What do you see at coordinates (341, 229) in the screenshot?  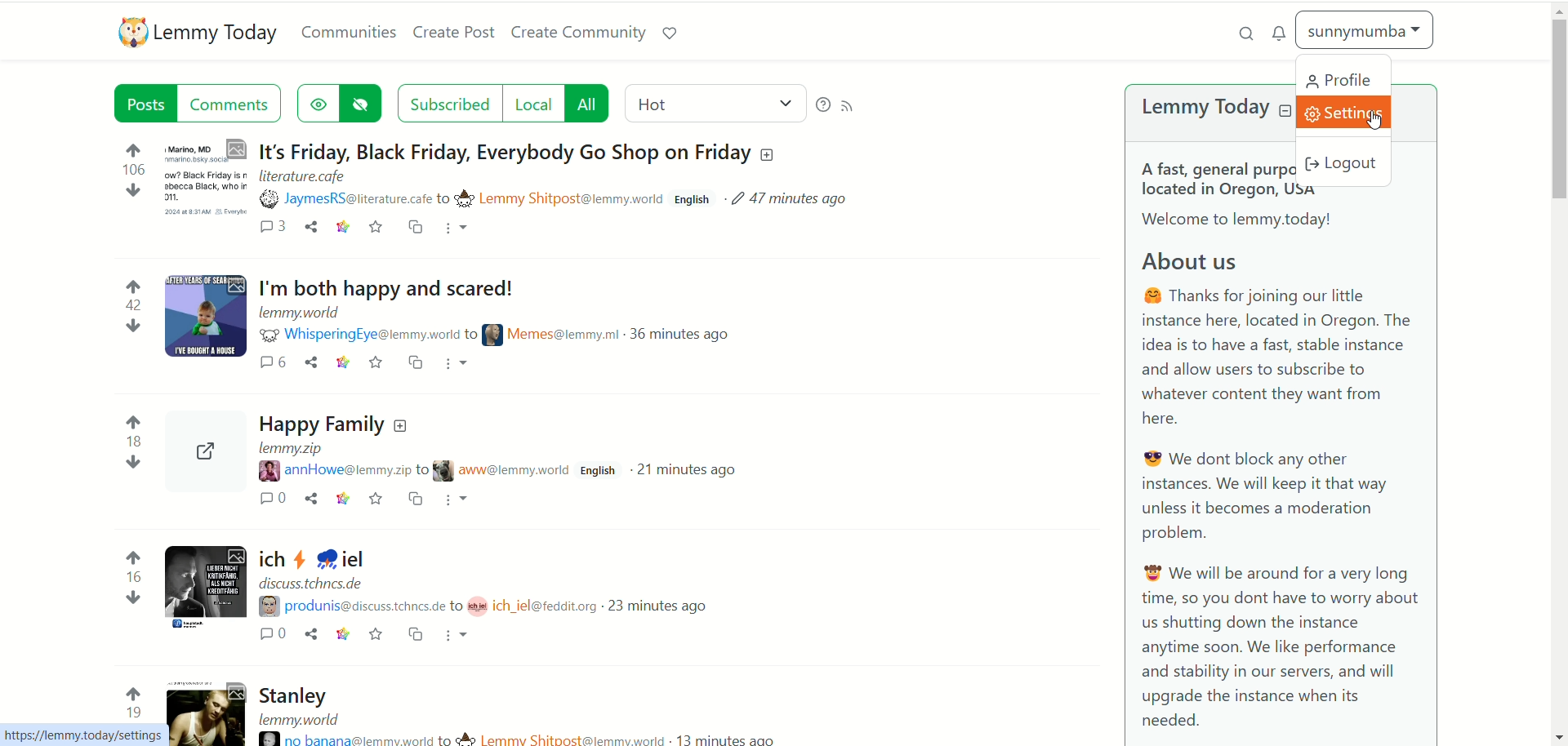 I see `link` at bounding box center [341, 229].